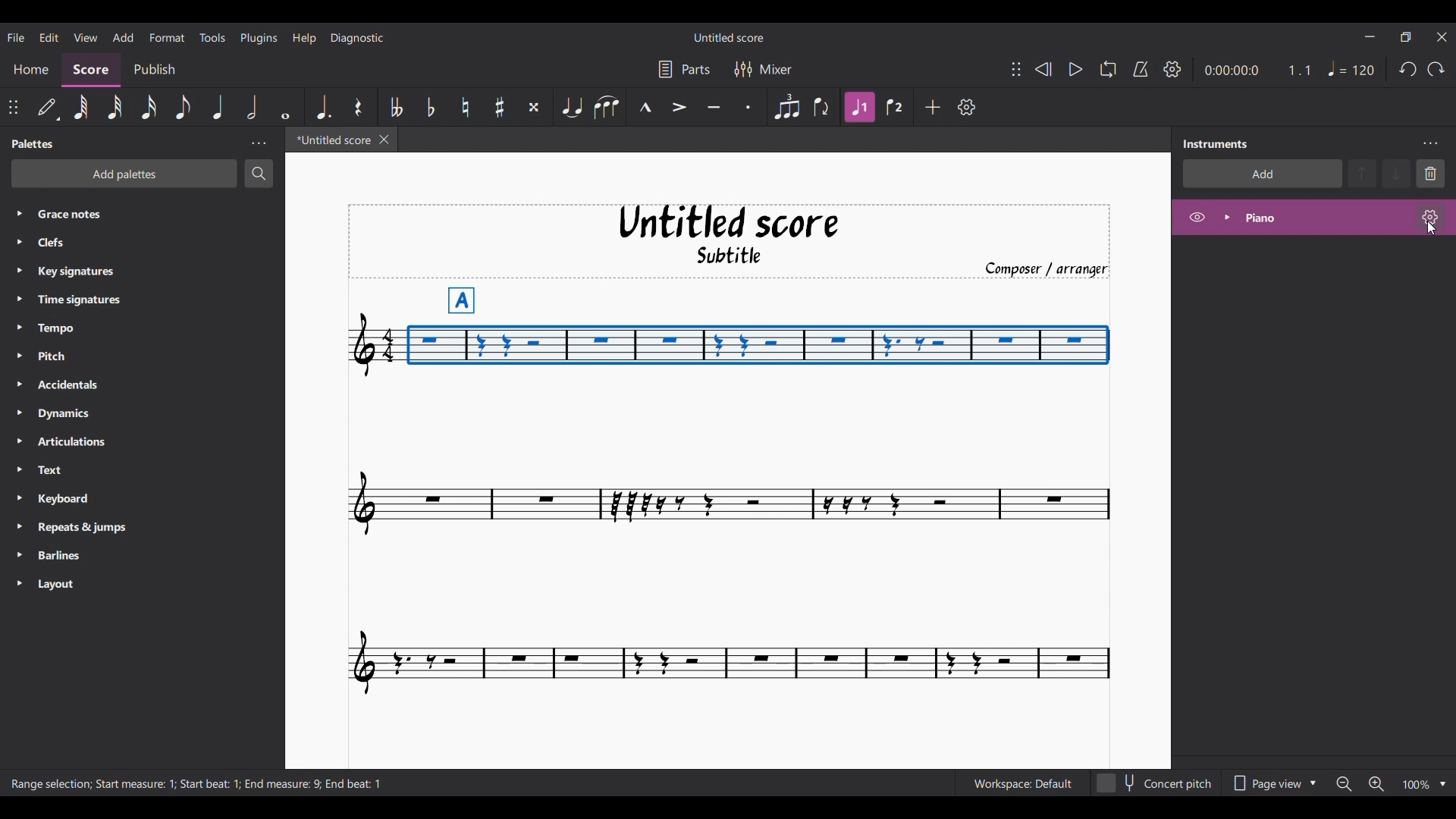  What do you see at coordinates (323, 106) in the screenshot?
I see `Augmentation dot` at bounding box center [323, 106].